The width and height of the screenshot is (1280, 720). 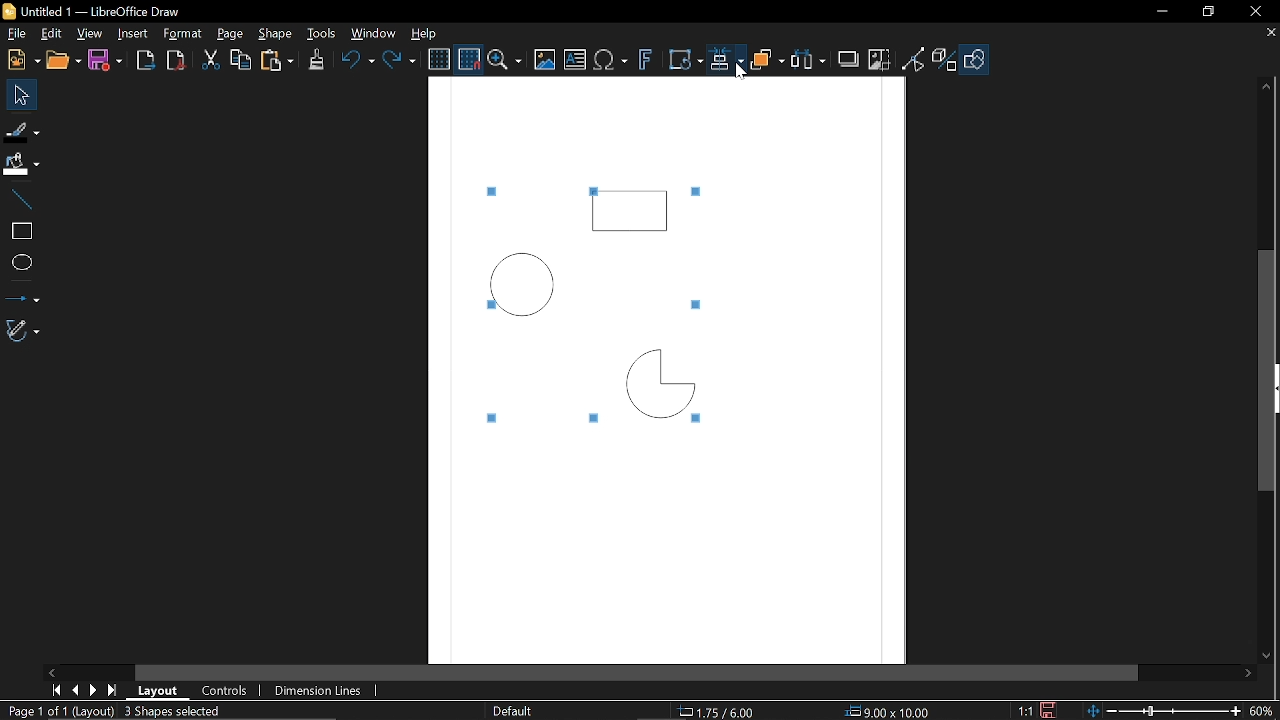 What do you see at coordinates (1248, 676) in the screenshot?
I see `Move right` at bounding box center [1248, 676].